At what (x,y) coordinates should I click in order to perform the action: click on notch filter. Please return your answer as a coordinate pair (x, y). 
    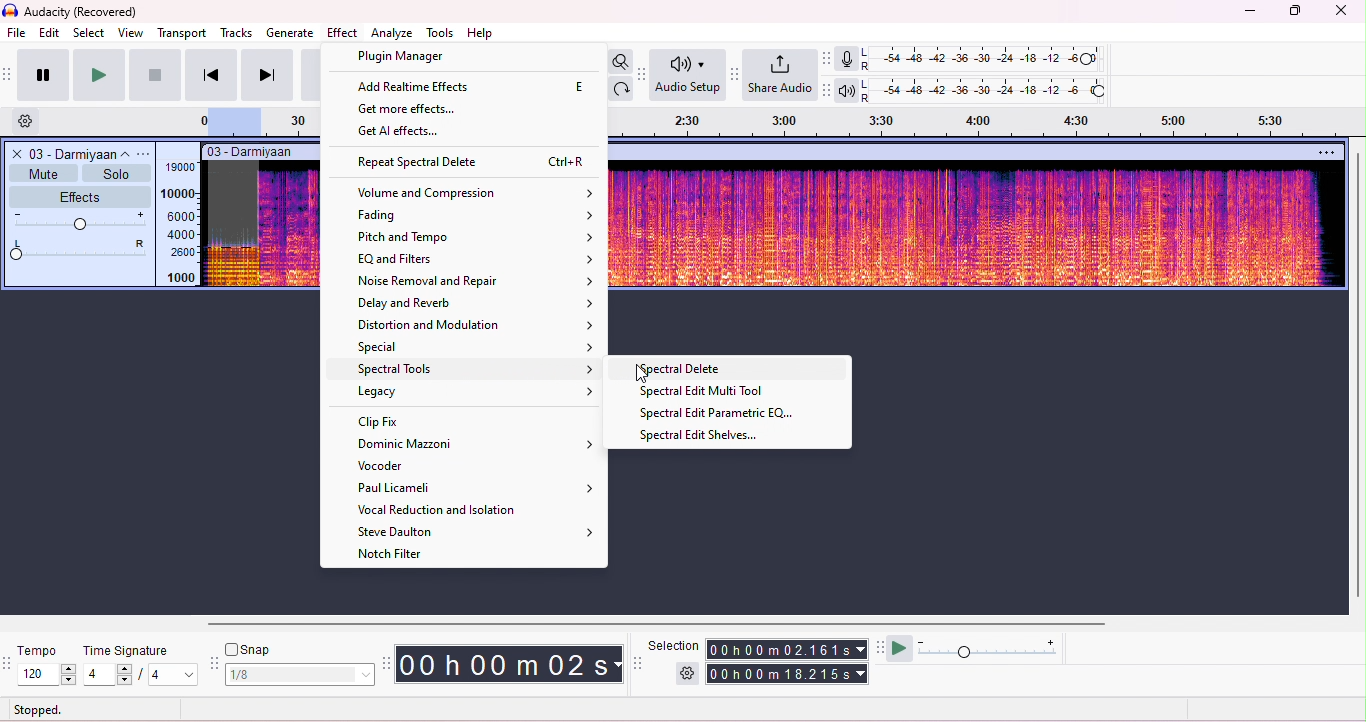
    Looking at the image, I should click on (391, 554).